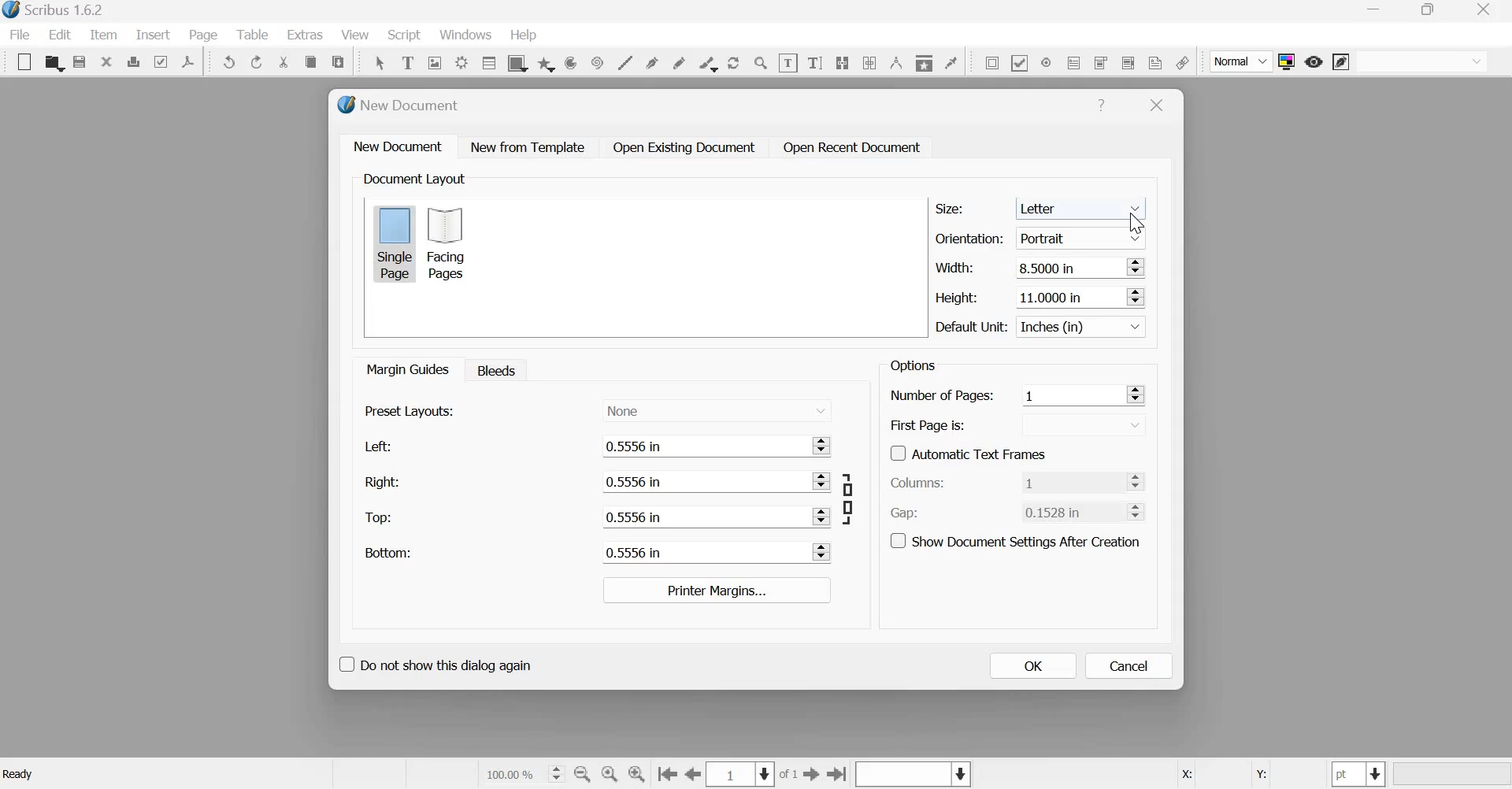 Image resolution: width=1512 pixels, height=789 pixels. What do you see at coordinates (683, 147) in the screenshot?
I see `Open Existing Document` at bounding box center [683, 147].